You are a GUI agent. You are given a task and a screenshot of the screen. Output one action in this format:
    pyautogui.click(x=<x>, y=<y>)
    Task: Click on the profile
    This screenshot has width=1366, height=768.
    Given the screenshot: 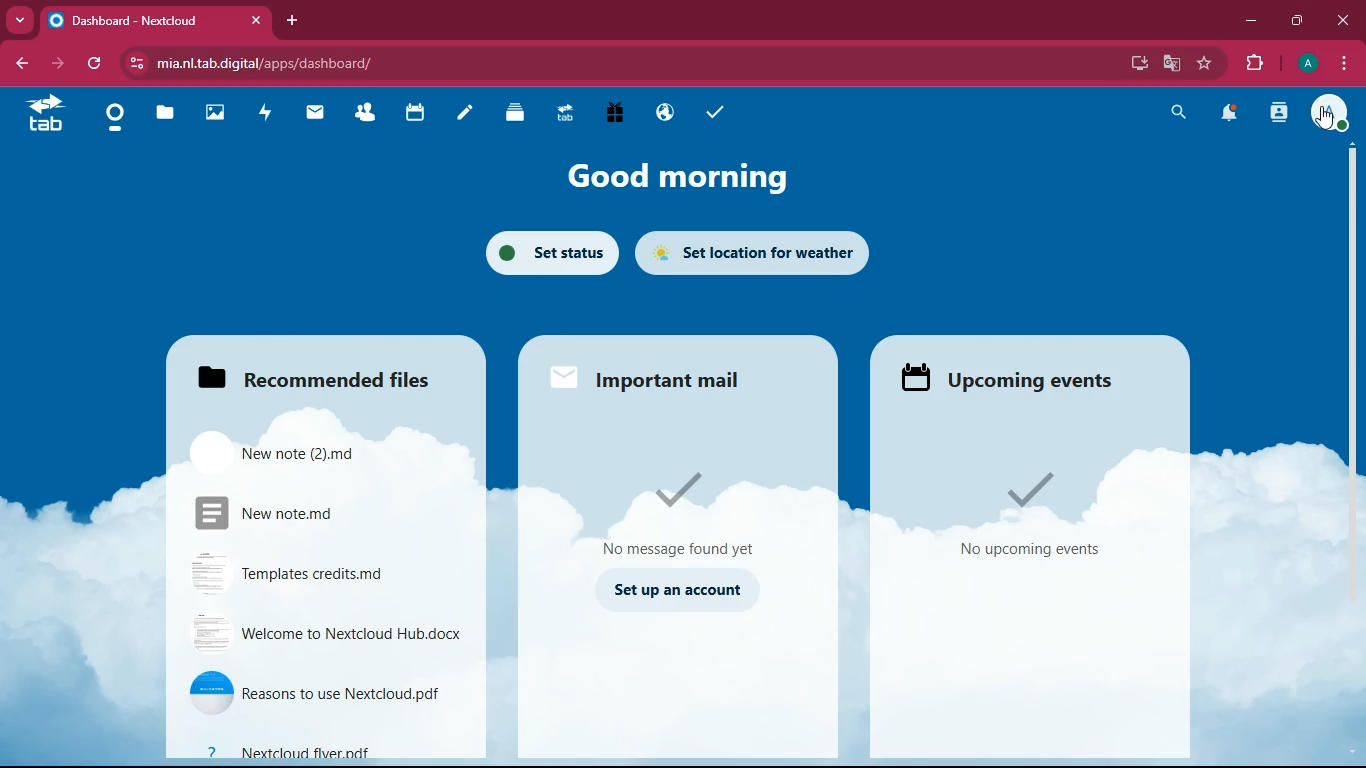 What is the action you would take?
    pyautogui.click(x=1310, y=64)
    